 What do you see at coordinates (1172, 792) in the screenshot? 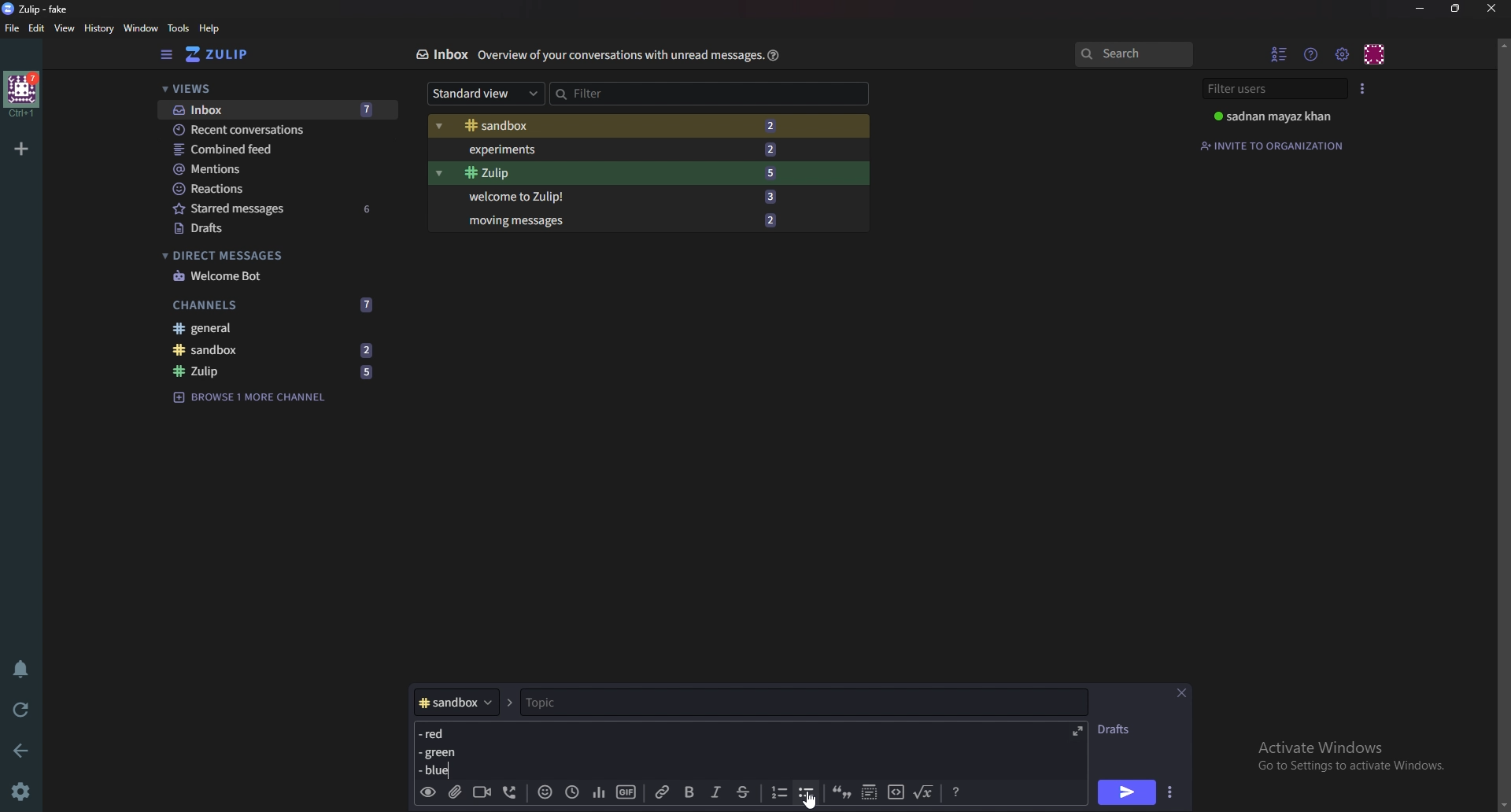
I see `Send options` at bounding box center [1172, 792].